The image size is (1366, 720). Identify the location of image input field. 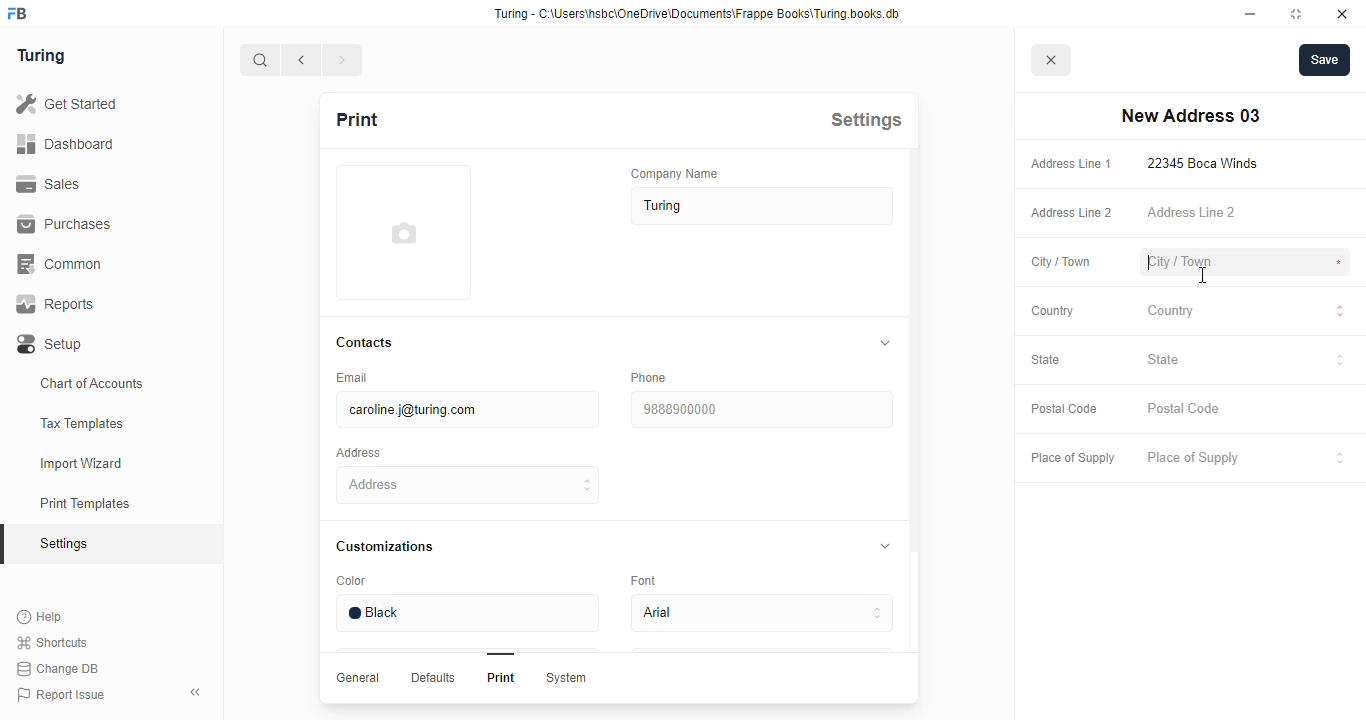
(401, 232).